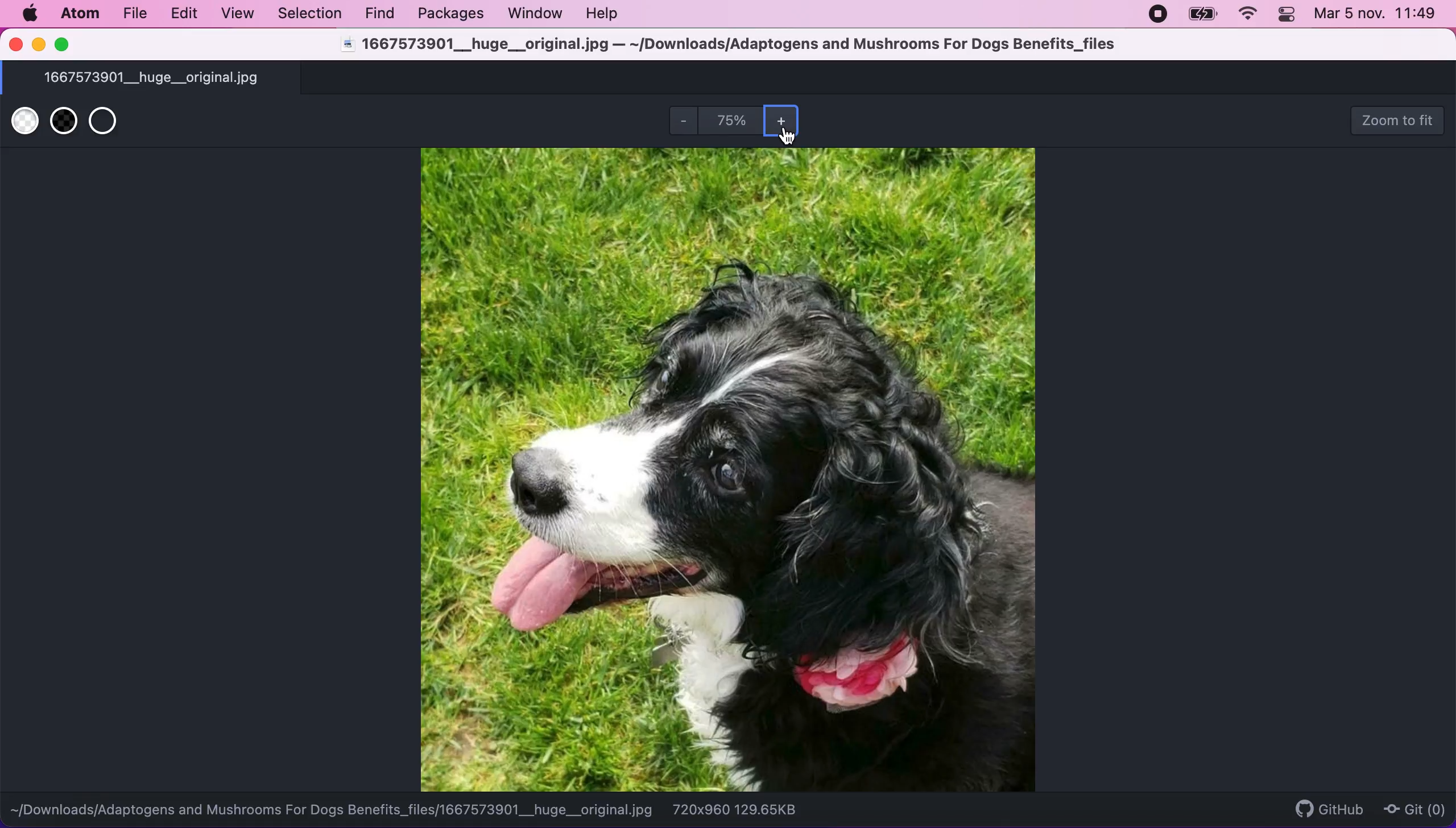  Describe the element at coordinates (67, 44) in the screenshot. I see `maximize` at that location.